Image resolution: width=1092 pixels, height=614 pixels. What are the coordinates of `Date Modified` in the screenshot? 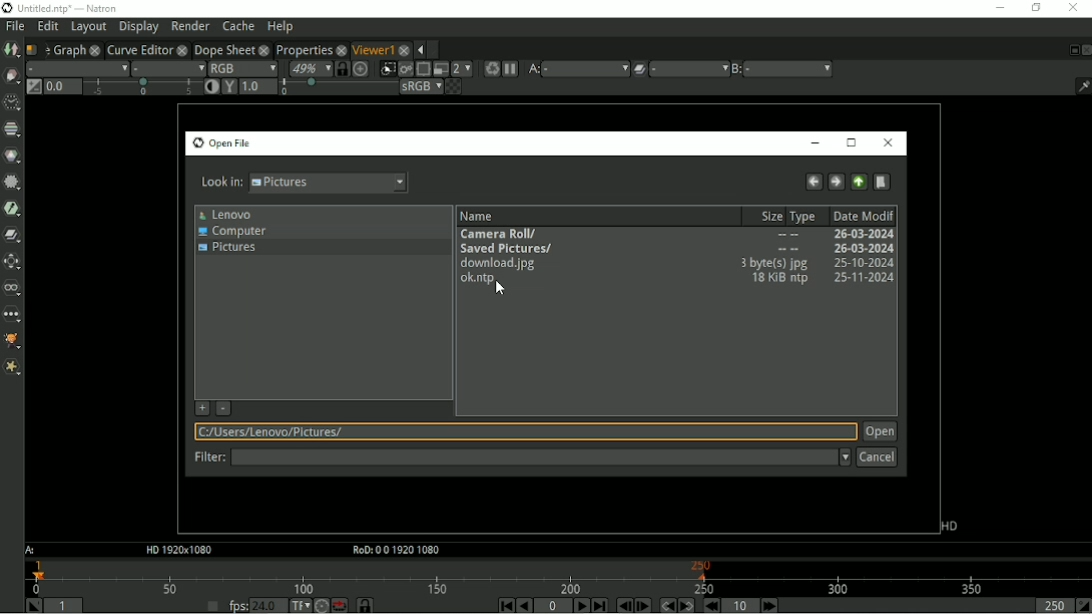 It's located at (863, 215).